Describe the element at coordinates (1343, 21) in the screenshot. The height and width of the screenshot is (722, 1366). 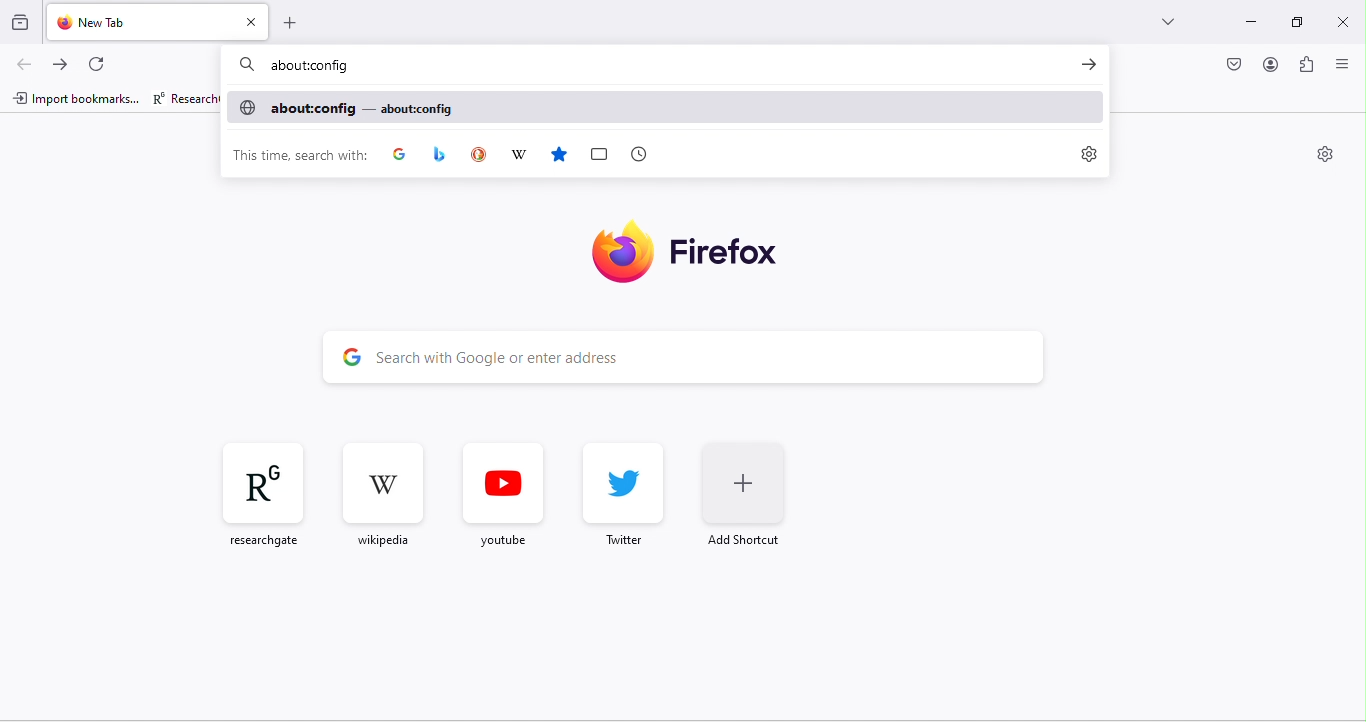
I see `close` at that location.